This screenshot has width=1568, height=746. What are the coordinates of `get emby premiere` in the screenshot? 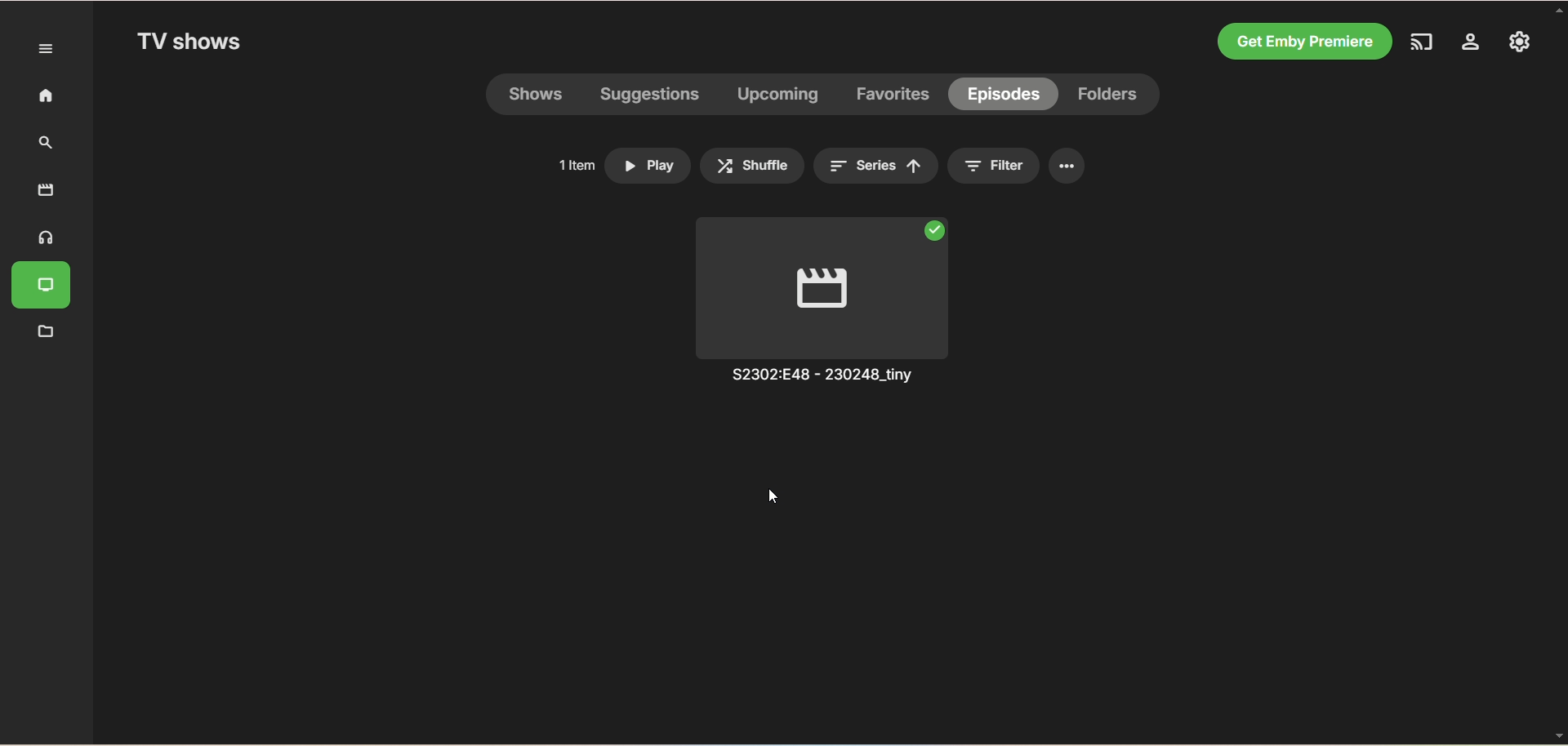 It's located at (1306, 40).